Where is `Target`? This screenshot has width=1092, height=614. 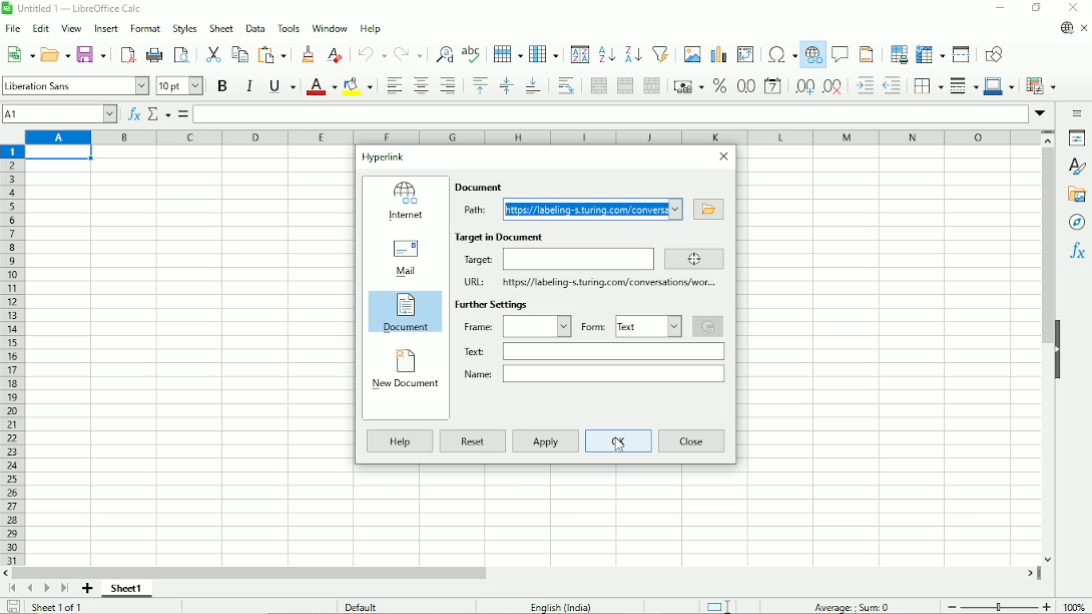 Target is located at coordinates (692, 259).